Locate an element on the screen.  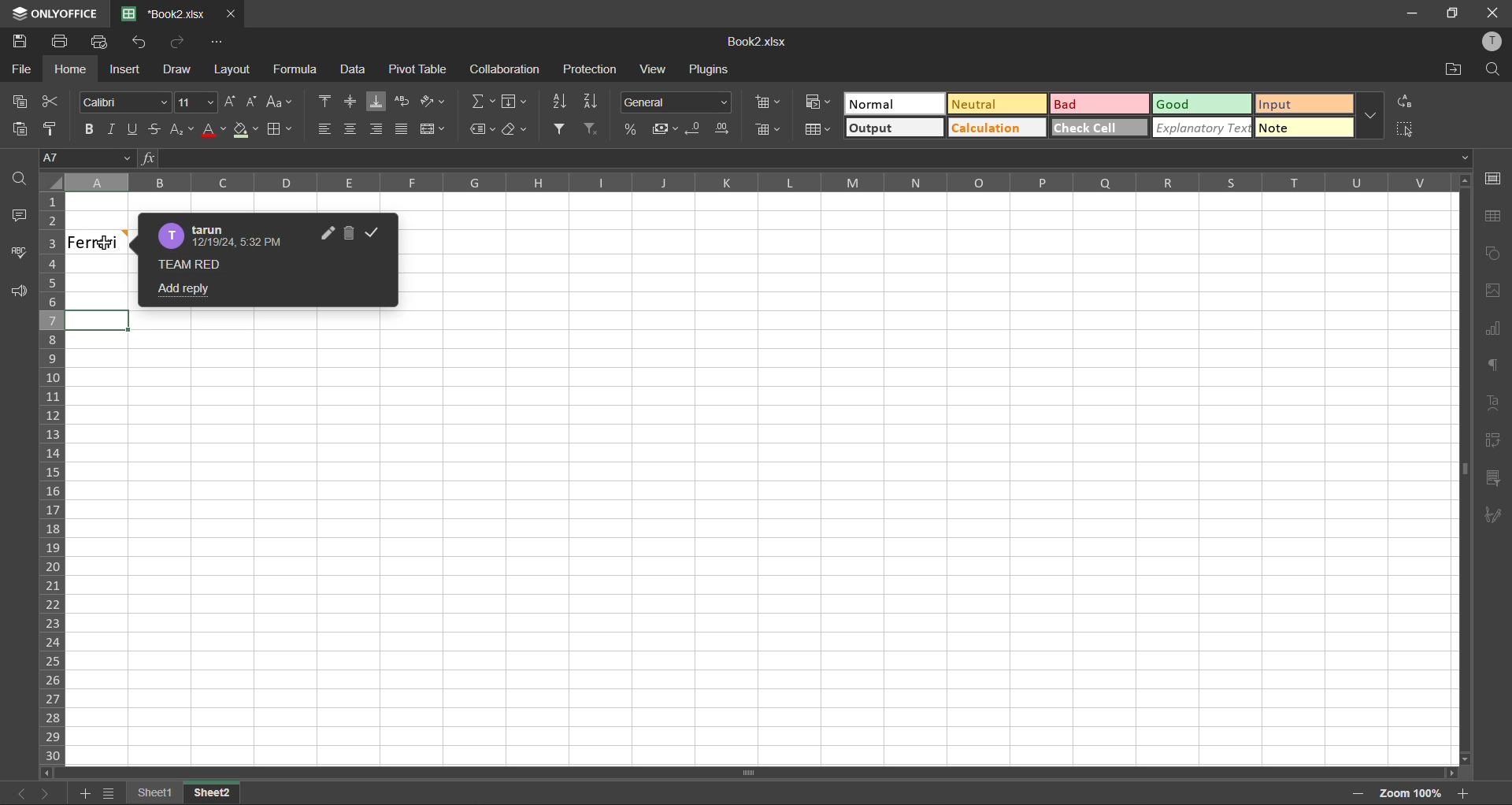
feedback is located at coordinates (25, 292).